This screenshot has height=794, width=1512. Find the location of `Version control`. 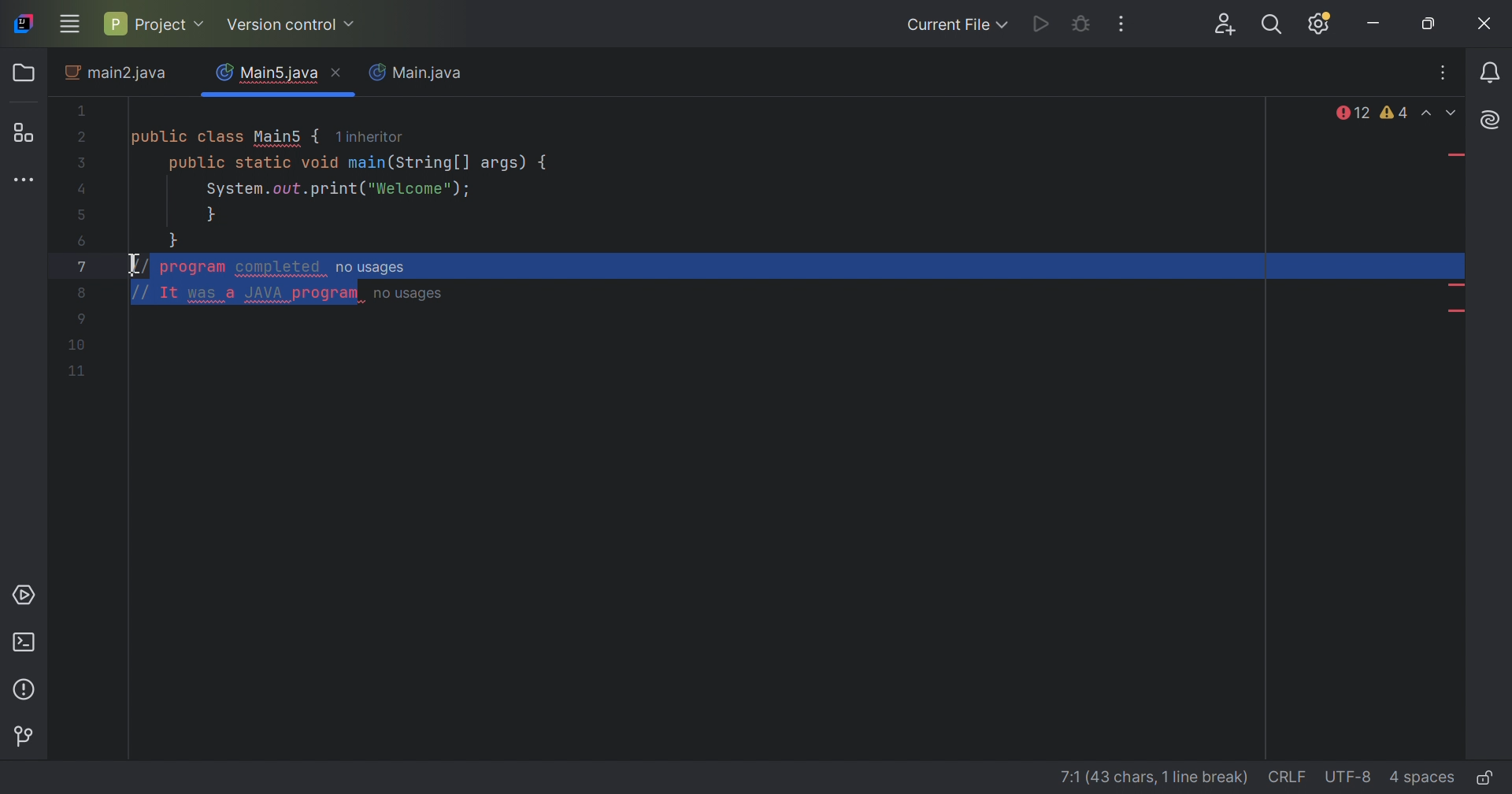

Version control is located at coordinates (24, 734).